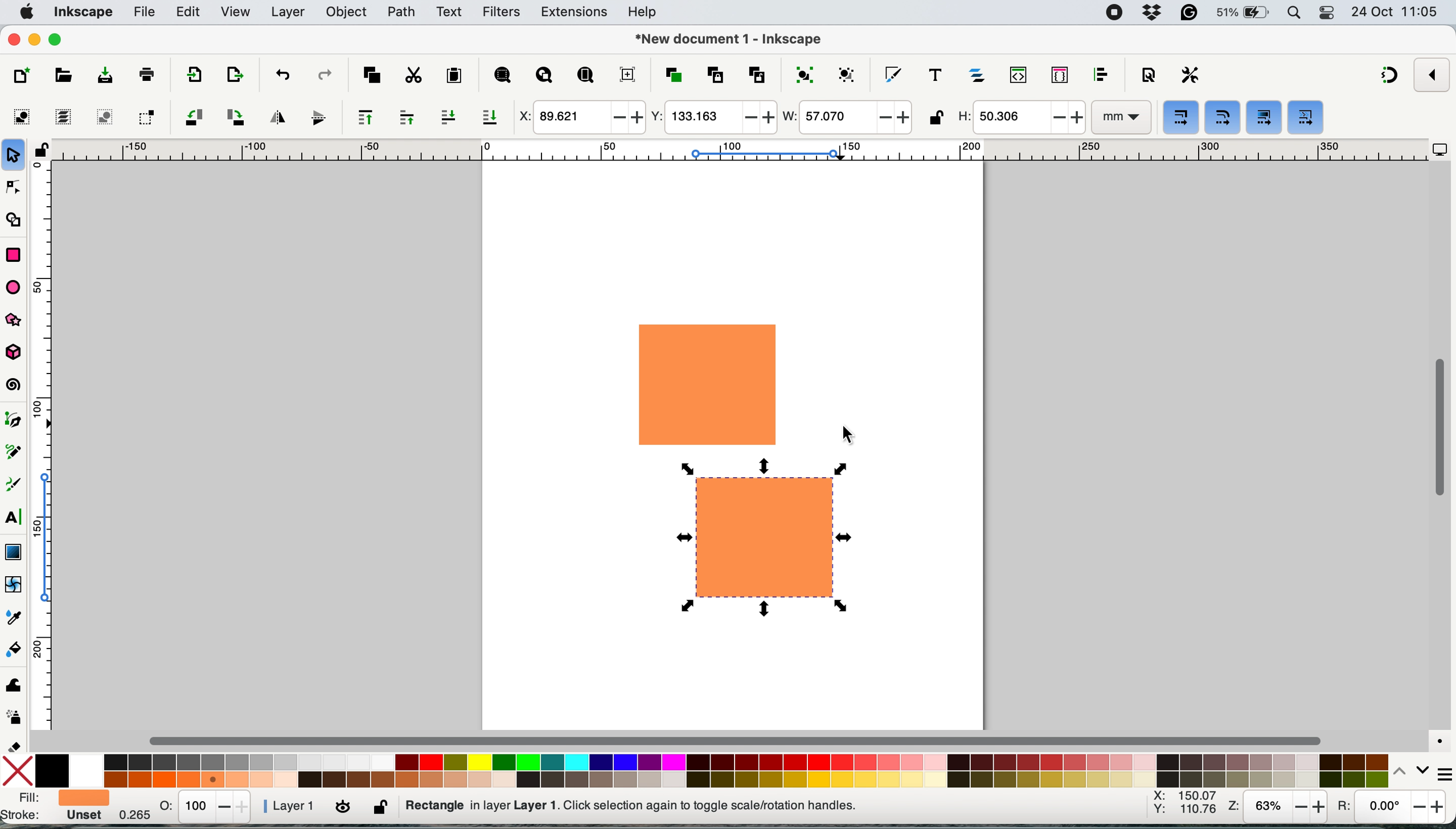  What do you see at coordinates (1184, 806) in the screenshot?
I see `xy coordinates` at bounding box center [1184, 806].